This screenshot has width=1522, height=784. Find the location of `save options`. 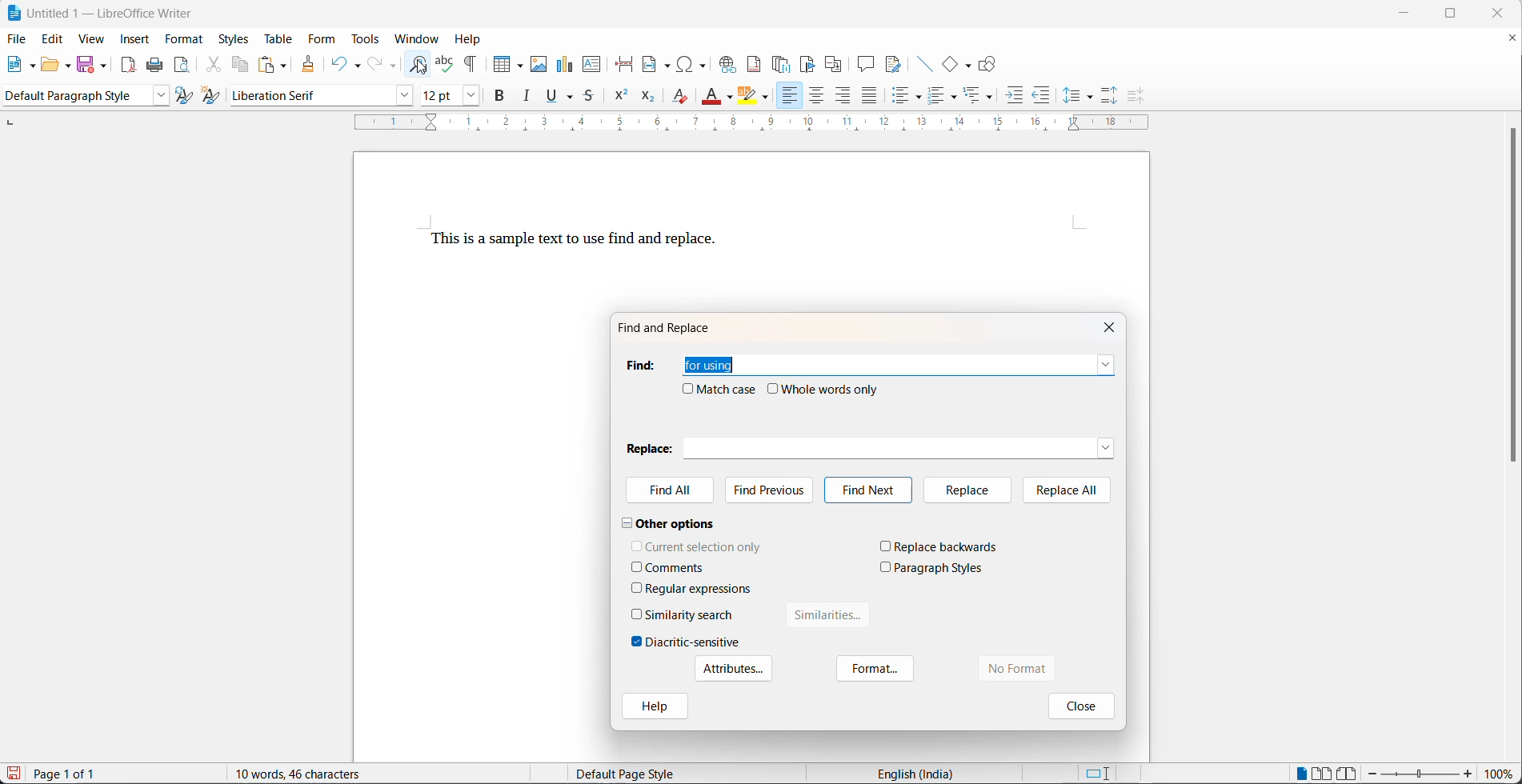

save options is located at coordinates (104, 65).